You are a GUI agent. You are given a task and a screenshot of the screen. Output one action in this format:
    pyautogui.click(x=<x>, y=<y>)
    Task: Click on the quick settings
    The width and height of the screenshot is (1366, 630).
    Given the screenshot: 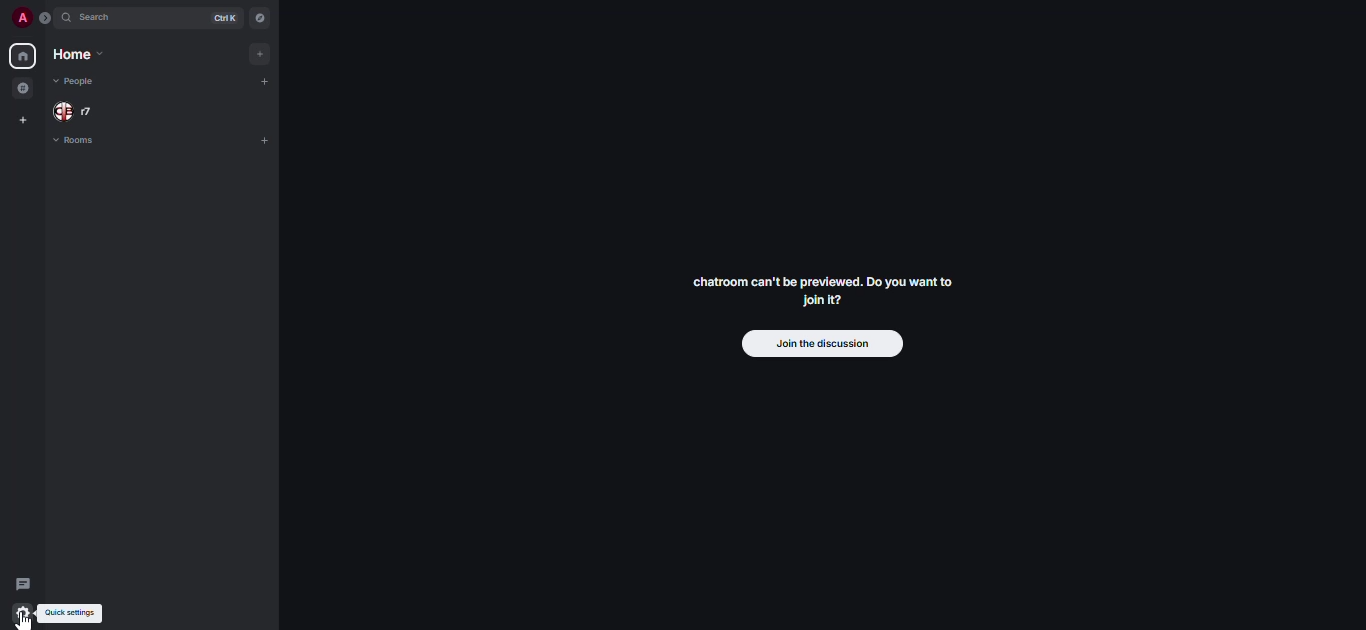 What is the action you would take?
    pyautogui.click(x=23, y=614)
    